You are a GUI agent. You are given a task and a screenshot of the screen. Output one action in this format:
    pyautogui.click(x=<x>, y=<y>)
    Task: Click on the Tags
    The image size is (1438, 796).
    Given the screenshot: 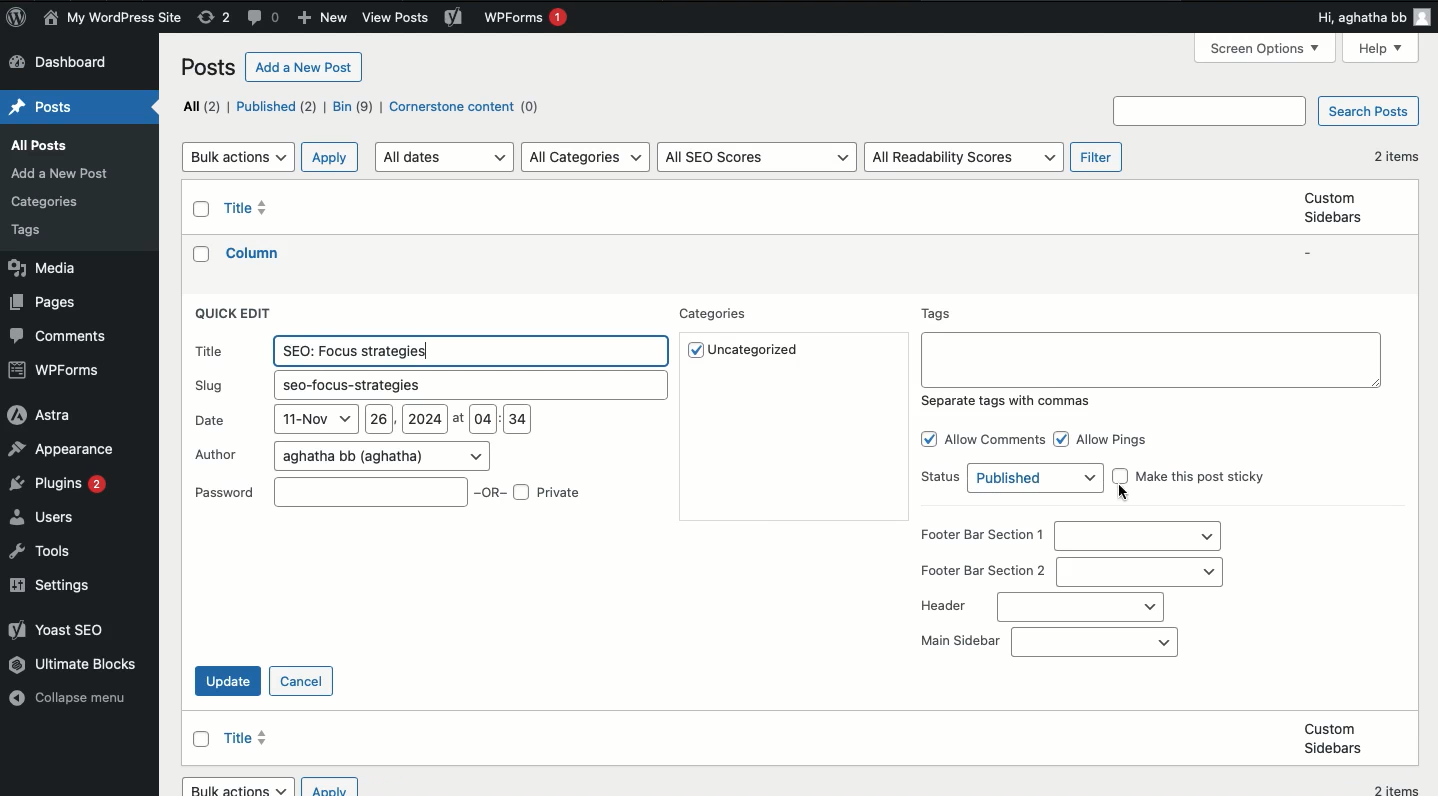 What is the action you would take?
    pyautogui.click(x=939, y=314)
    